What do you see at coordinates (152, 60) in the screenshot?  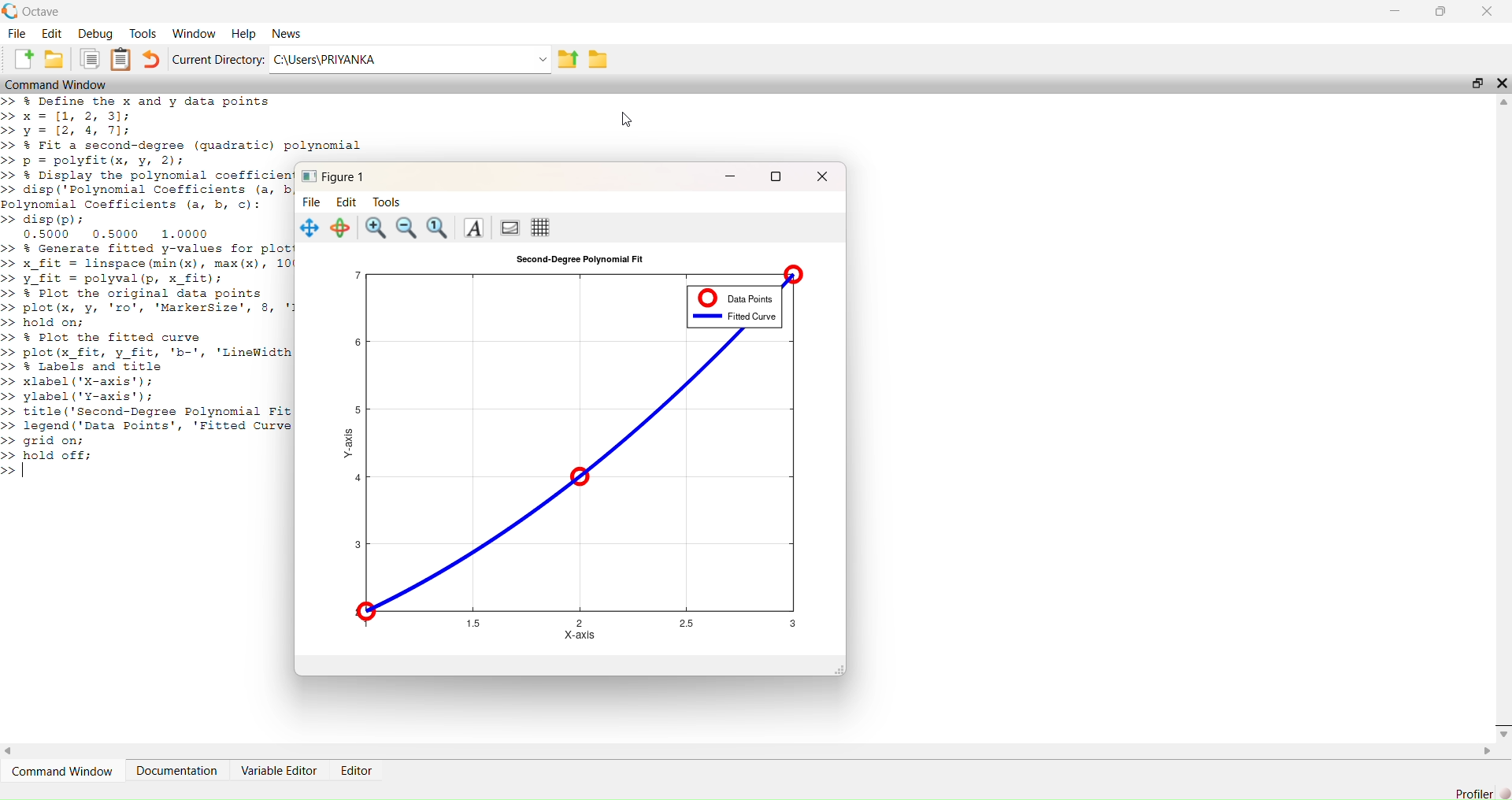 I see `Undo` at bounding box center [152, 60].